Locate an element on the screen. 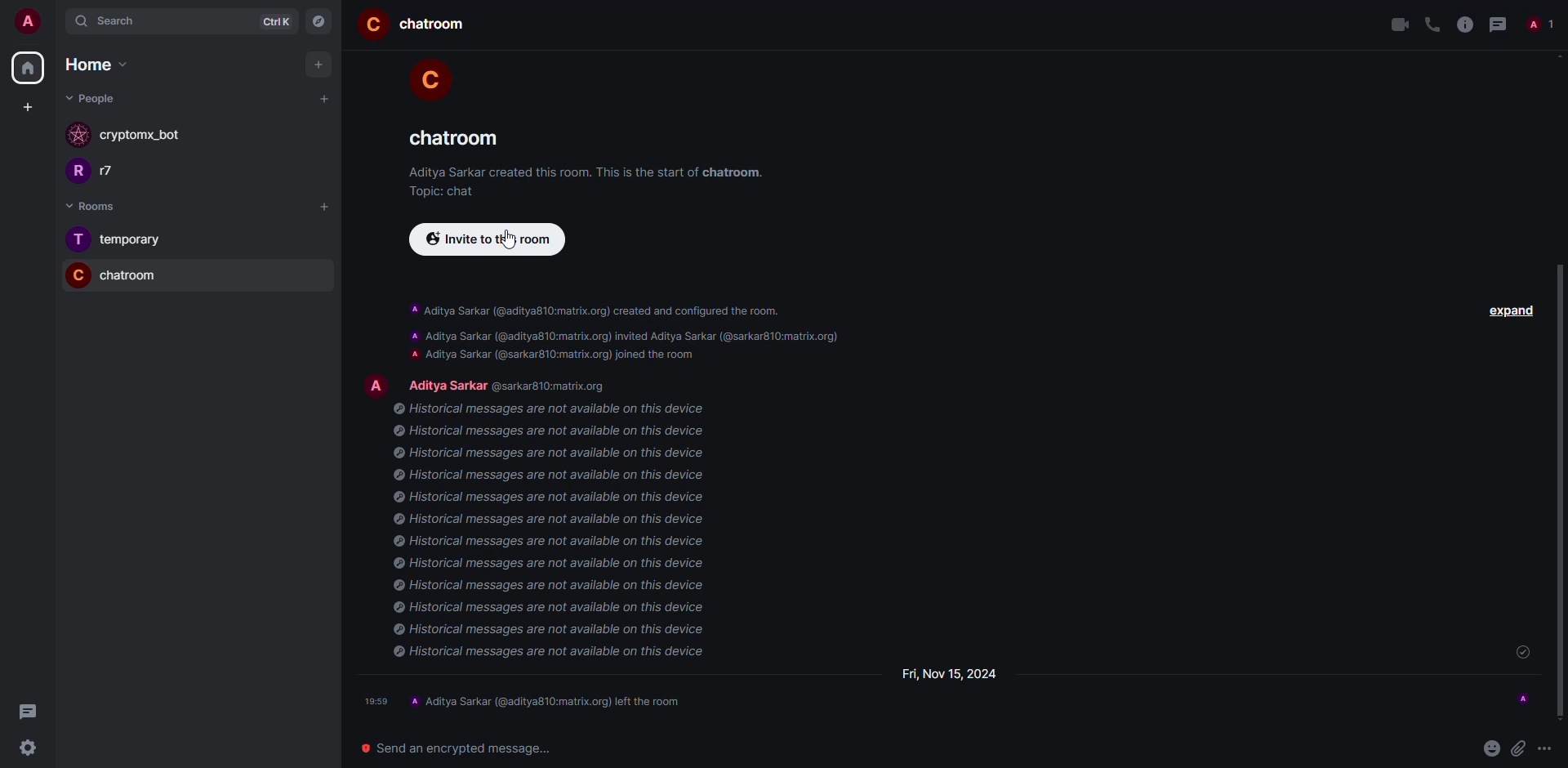 The width and height of the screenshot is (1568, 768). create space is located at coordinates (24, 106).